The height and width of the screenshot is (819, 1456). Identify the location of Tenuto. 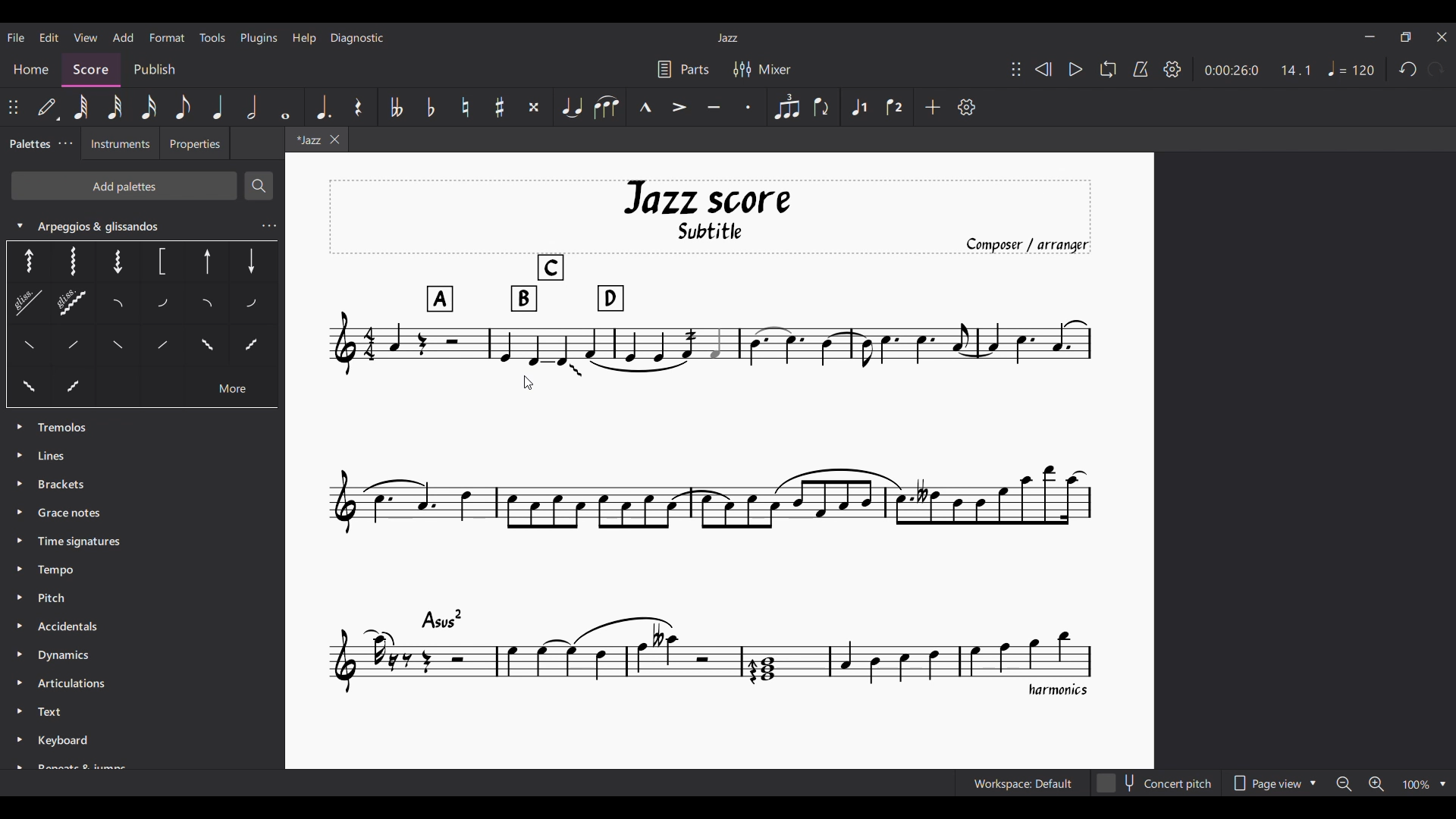
(714, 107).